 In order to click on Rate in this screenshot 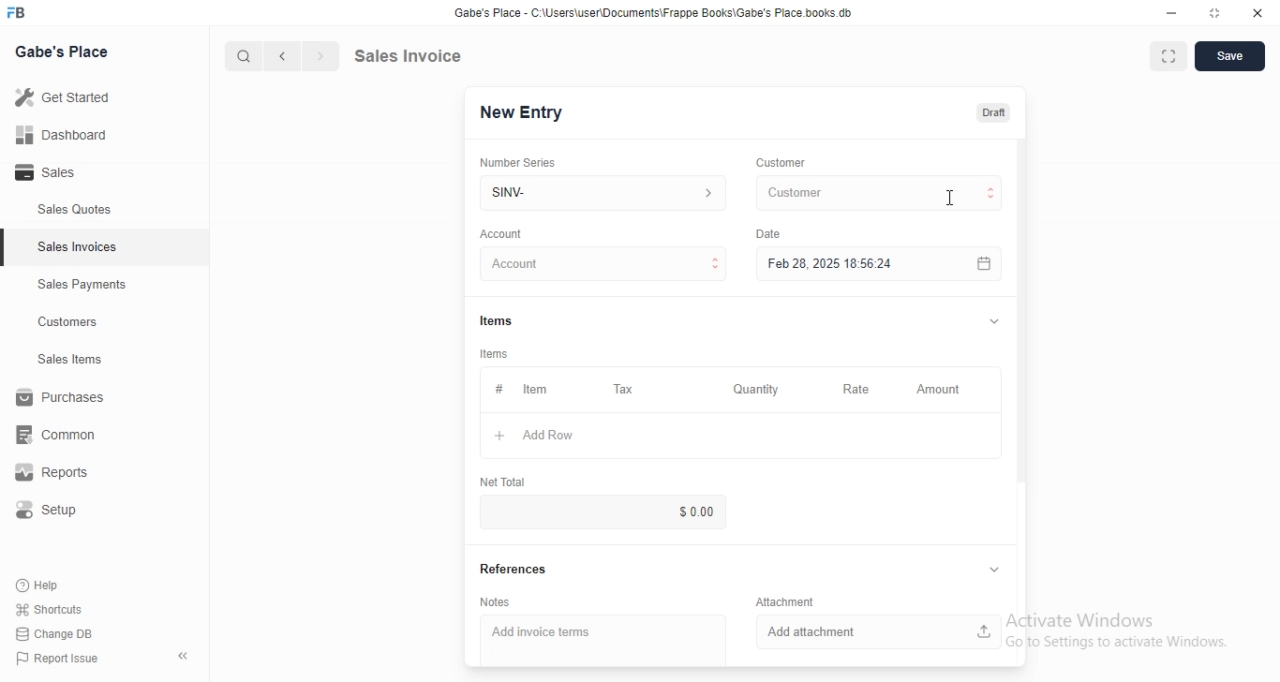, I will do `click(853, 389)`.